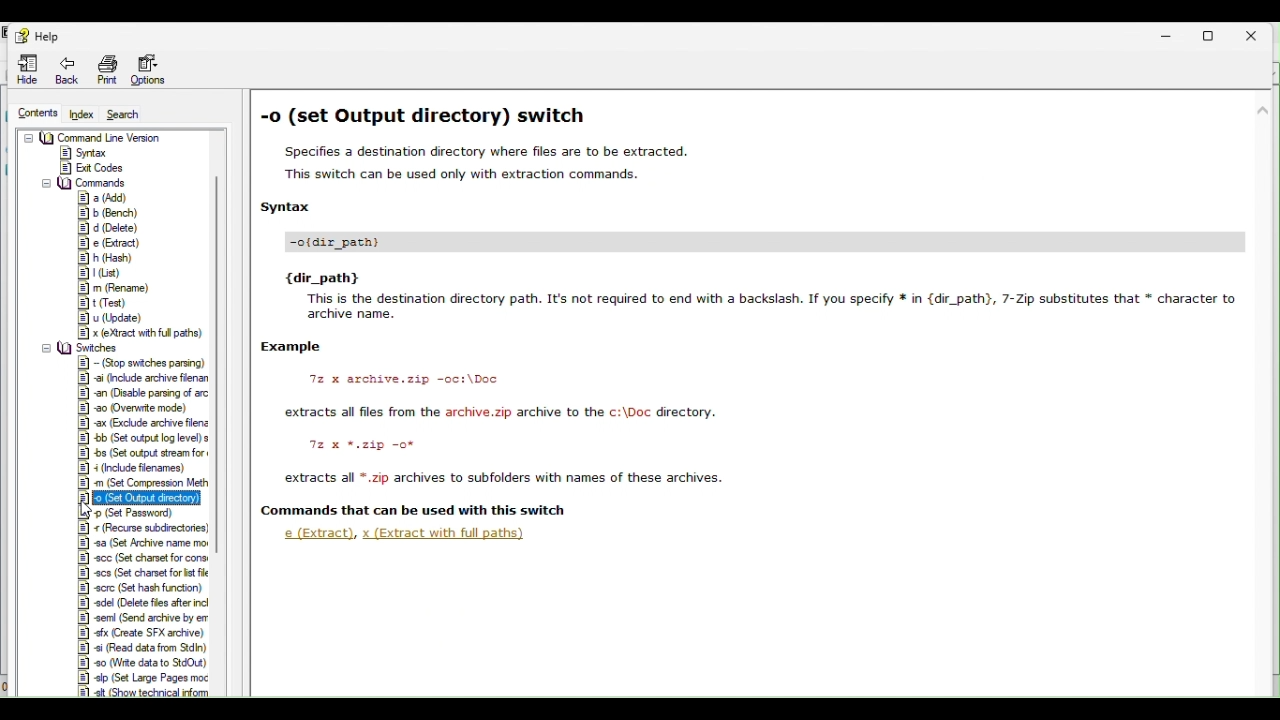  What do you see at coordinates (140, 647) in the screenshot?
I see `Read data from standard in` at bounding box center [140, 647].